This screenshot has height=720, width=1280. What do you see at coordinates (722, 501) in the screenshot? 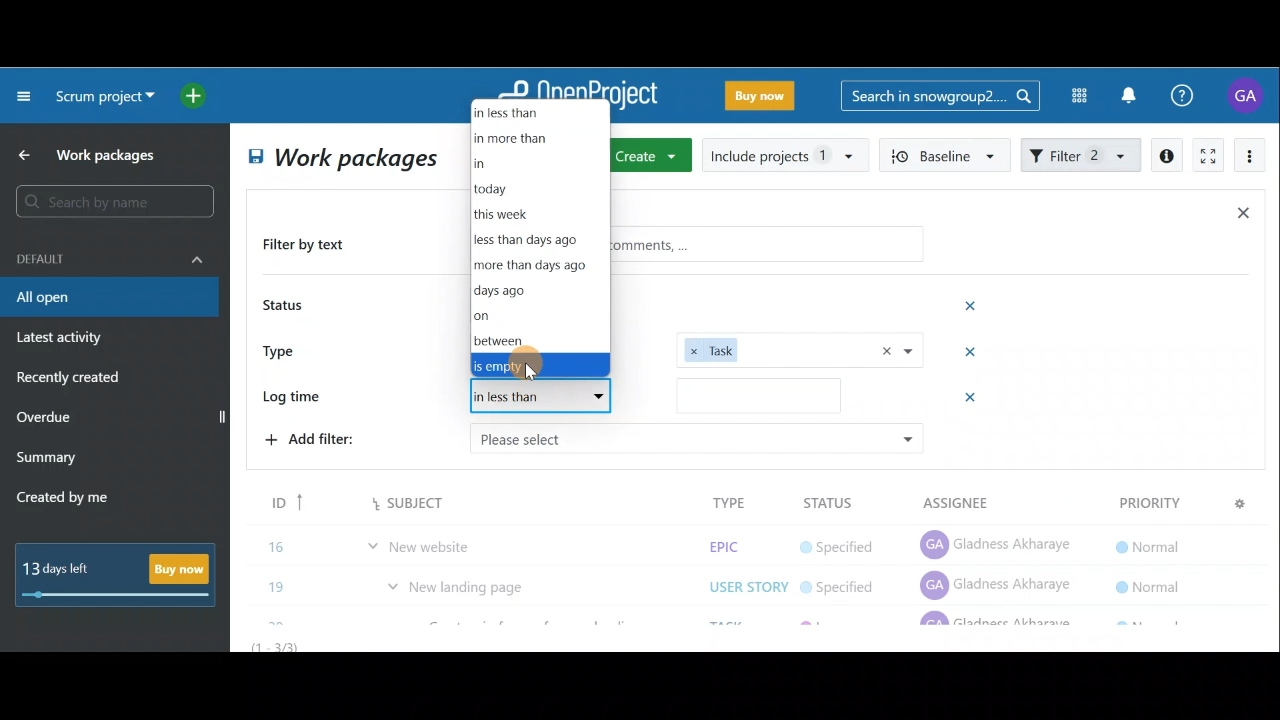
I see `epic` at bounding box center [722, 501].